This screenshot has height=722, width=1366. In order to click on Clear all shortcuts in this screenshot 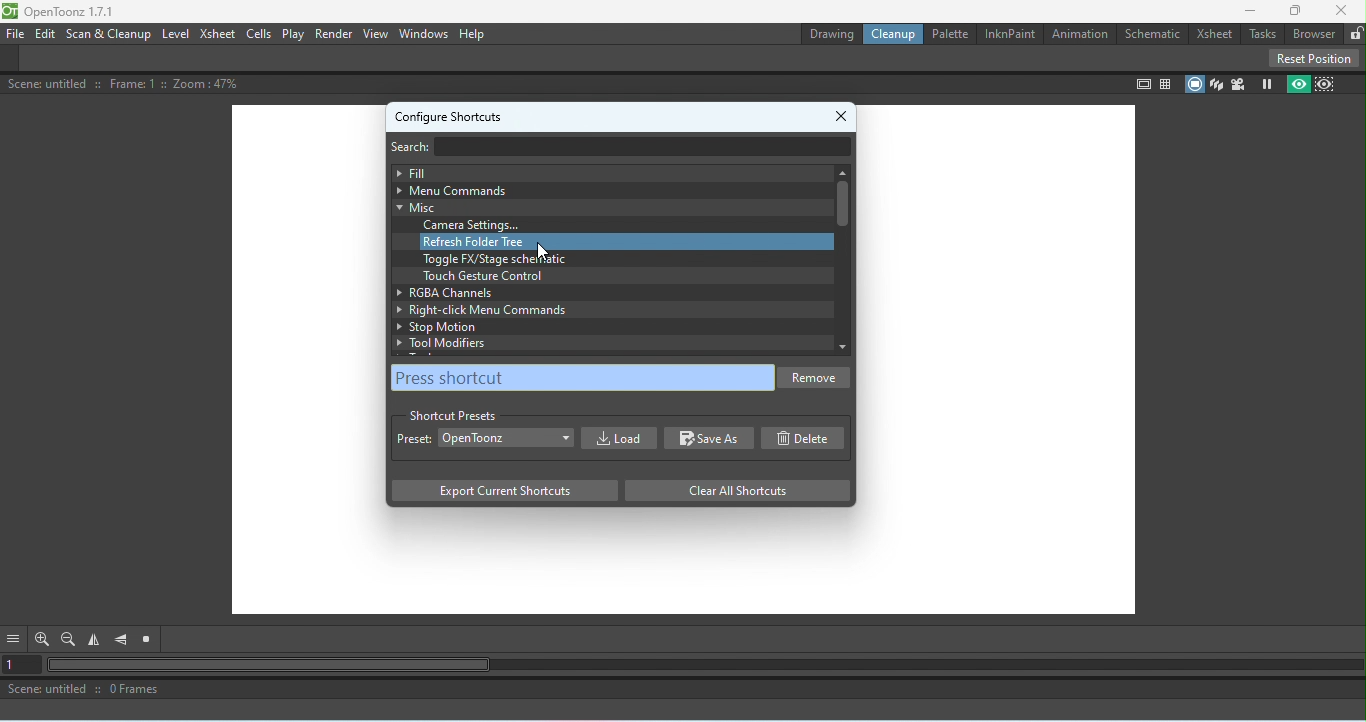, I will do `click(731, 490)`.